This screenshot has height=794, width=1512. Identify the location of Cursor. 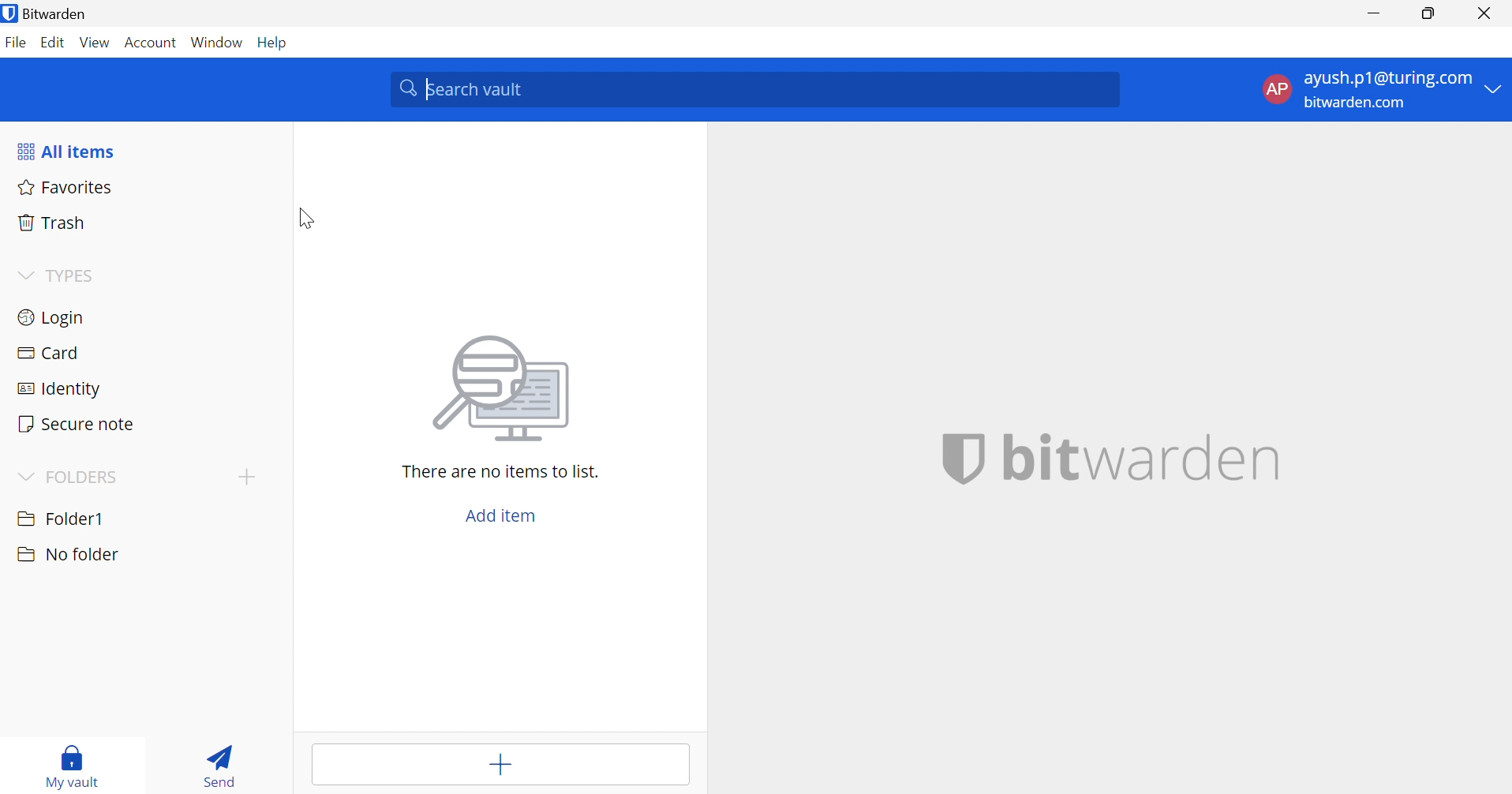
(304, 217).